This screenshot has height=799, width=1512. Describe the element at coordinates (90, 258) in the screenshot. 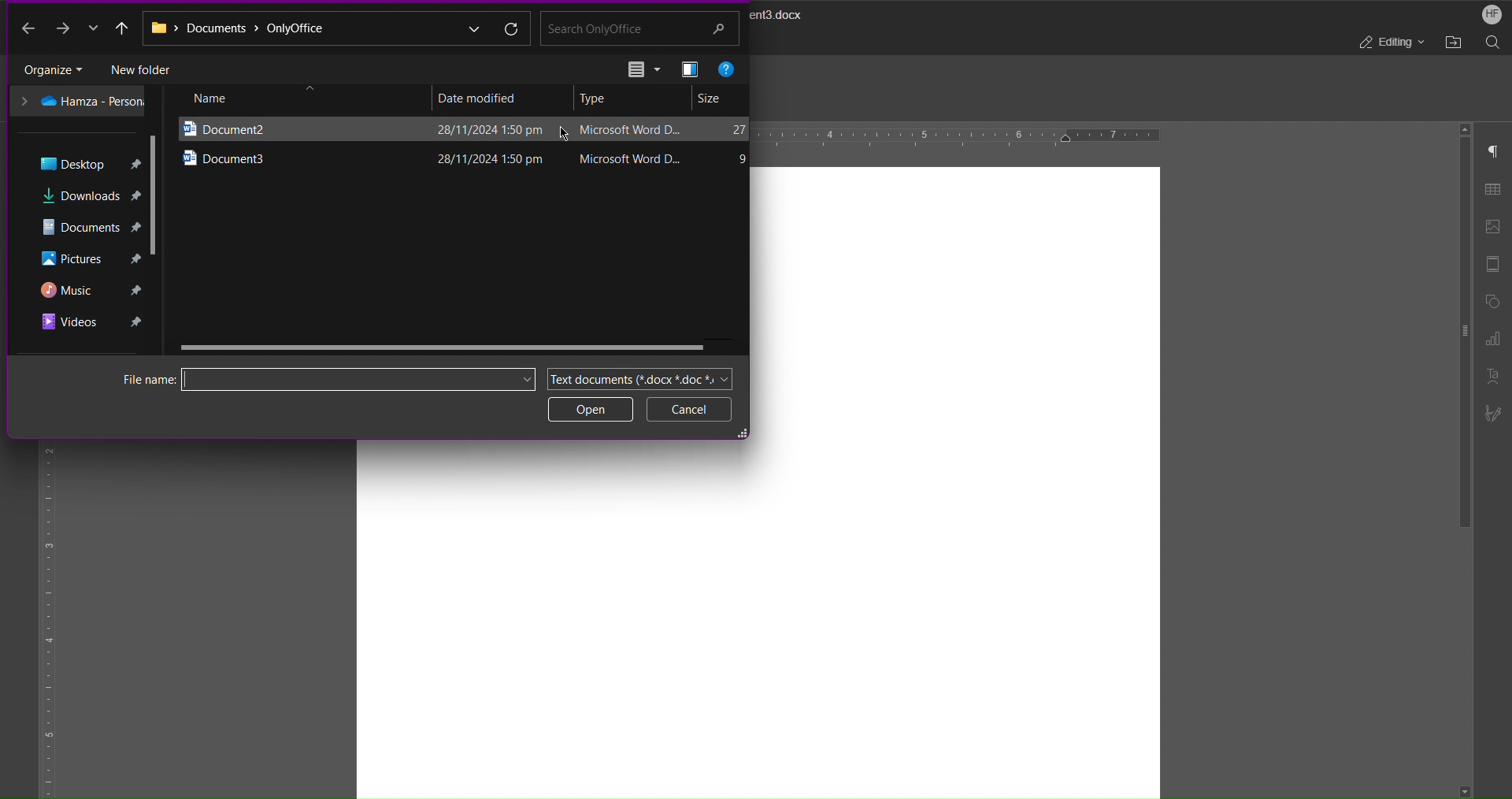

I see `Pictures` at that location.